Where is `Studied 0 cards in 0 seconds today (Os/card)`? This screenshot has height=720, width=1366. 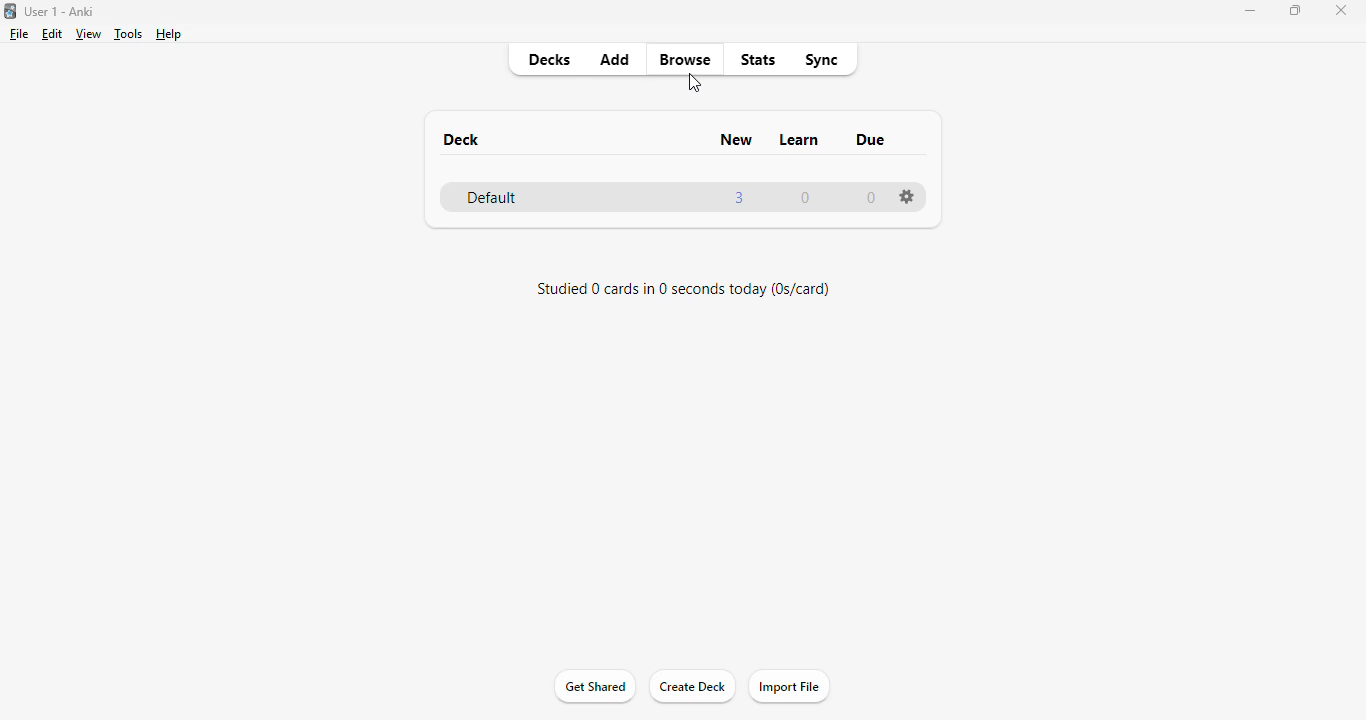 Studied 0 cards in 0 seconds today (Os/card) is located at coordinates (684, 290).